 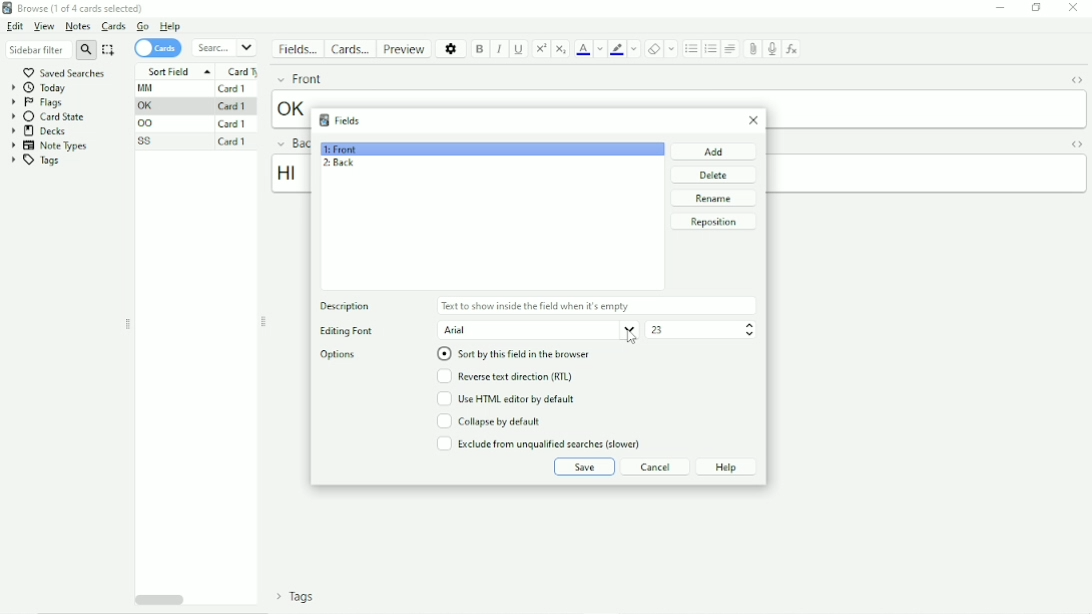 I want to click on Tags, so click(x=41, y=161).